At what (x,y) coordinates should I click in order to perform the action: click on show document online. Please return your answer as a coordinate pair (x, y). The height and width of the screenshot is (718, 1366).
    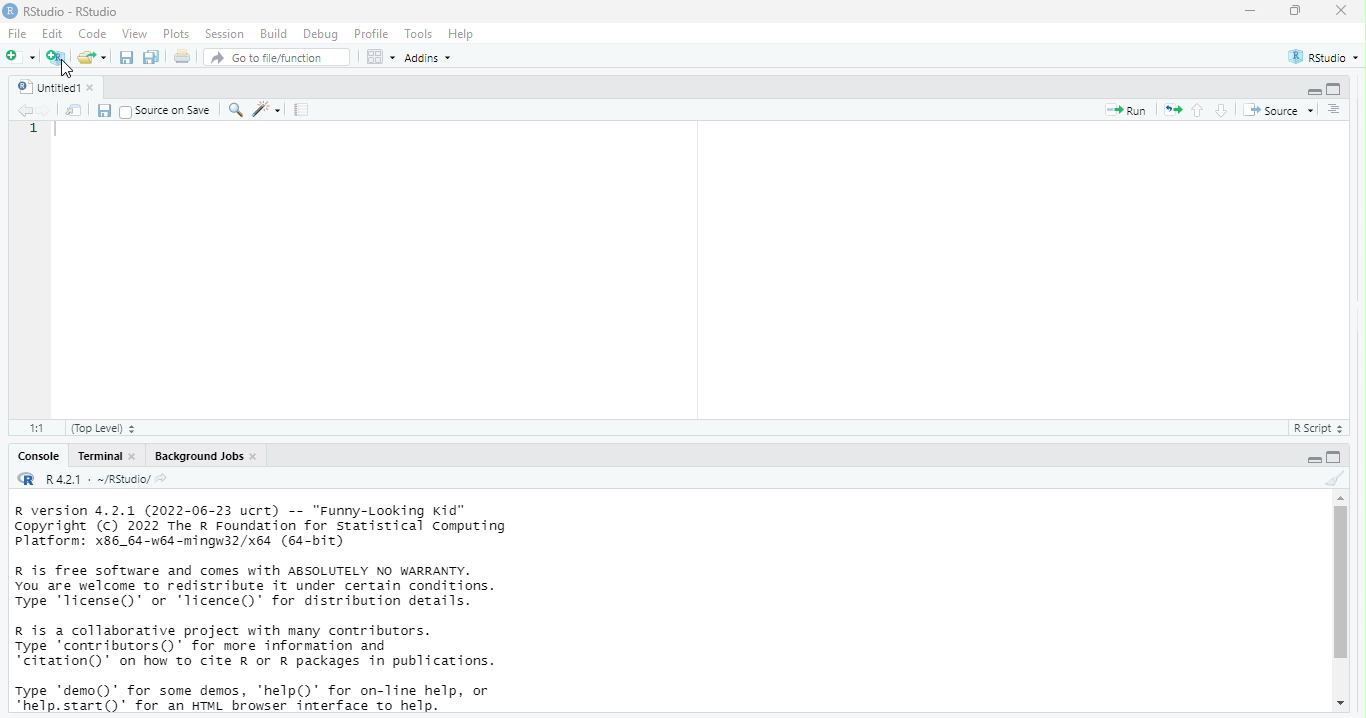
    Looking at the image, I should click on (1342, 111).